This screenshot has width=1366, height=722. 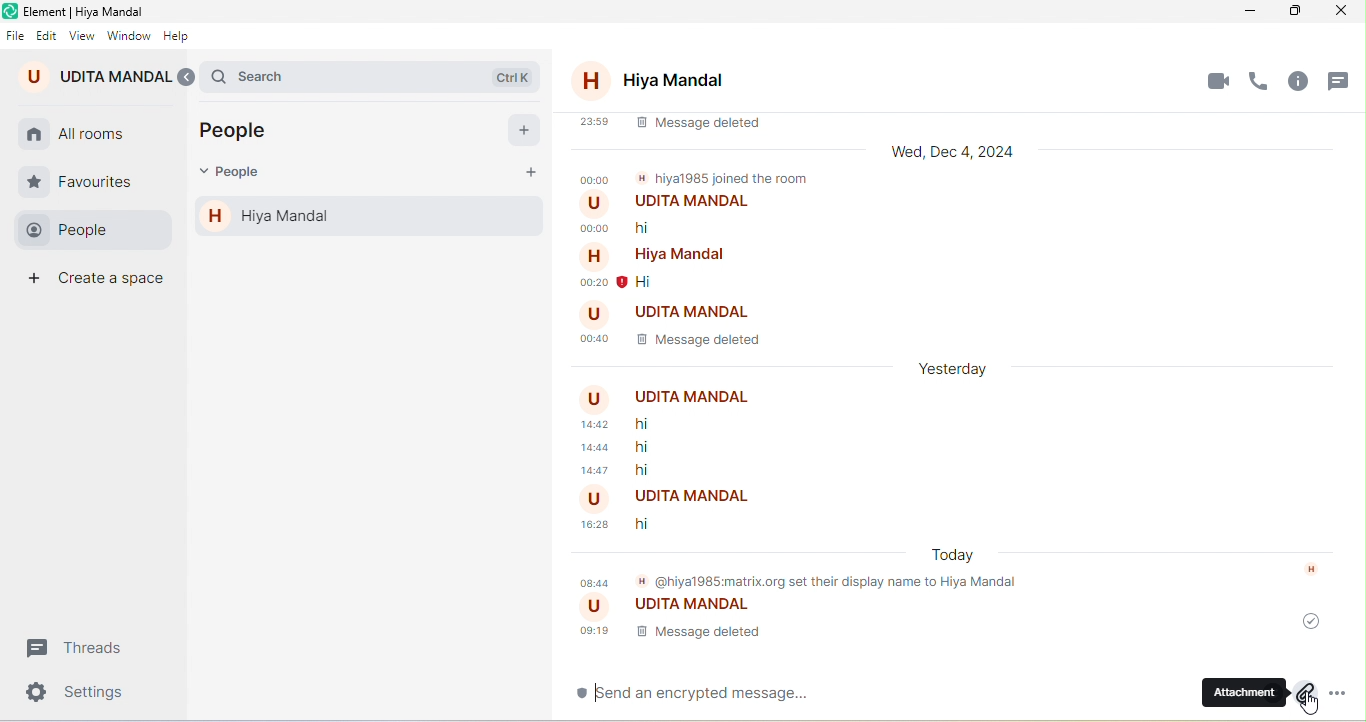 What do you see at coordinates (671, 229) in the screenshot?
I see `hi` at bounding box center [671, 229].